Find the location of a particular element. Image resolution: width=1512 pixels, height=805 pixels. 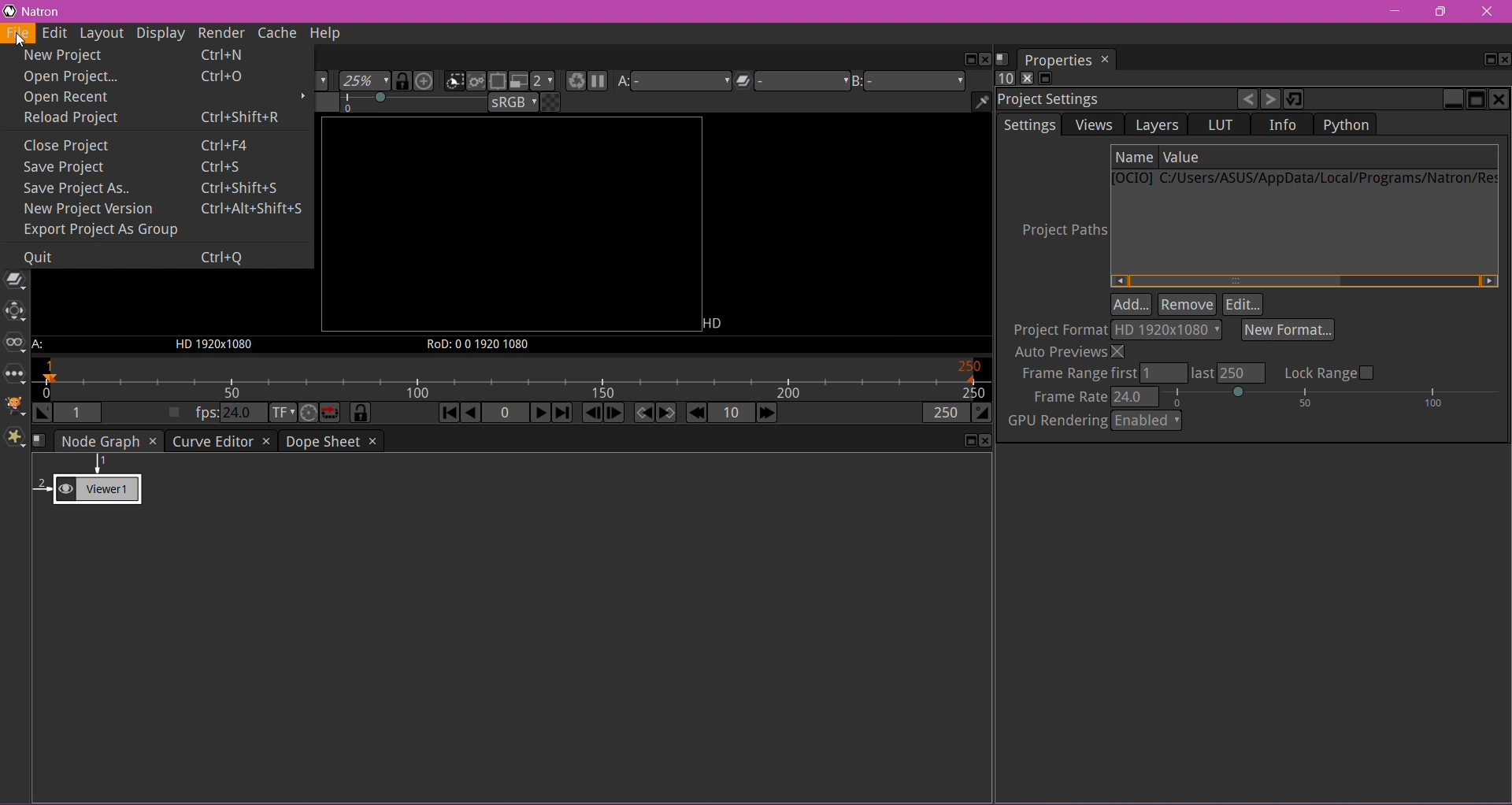

Manage the layouts for this pane is located at coordinates (43, 442).